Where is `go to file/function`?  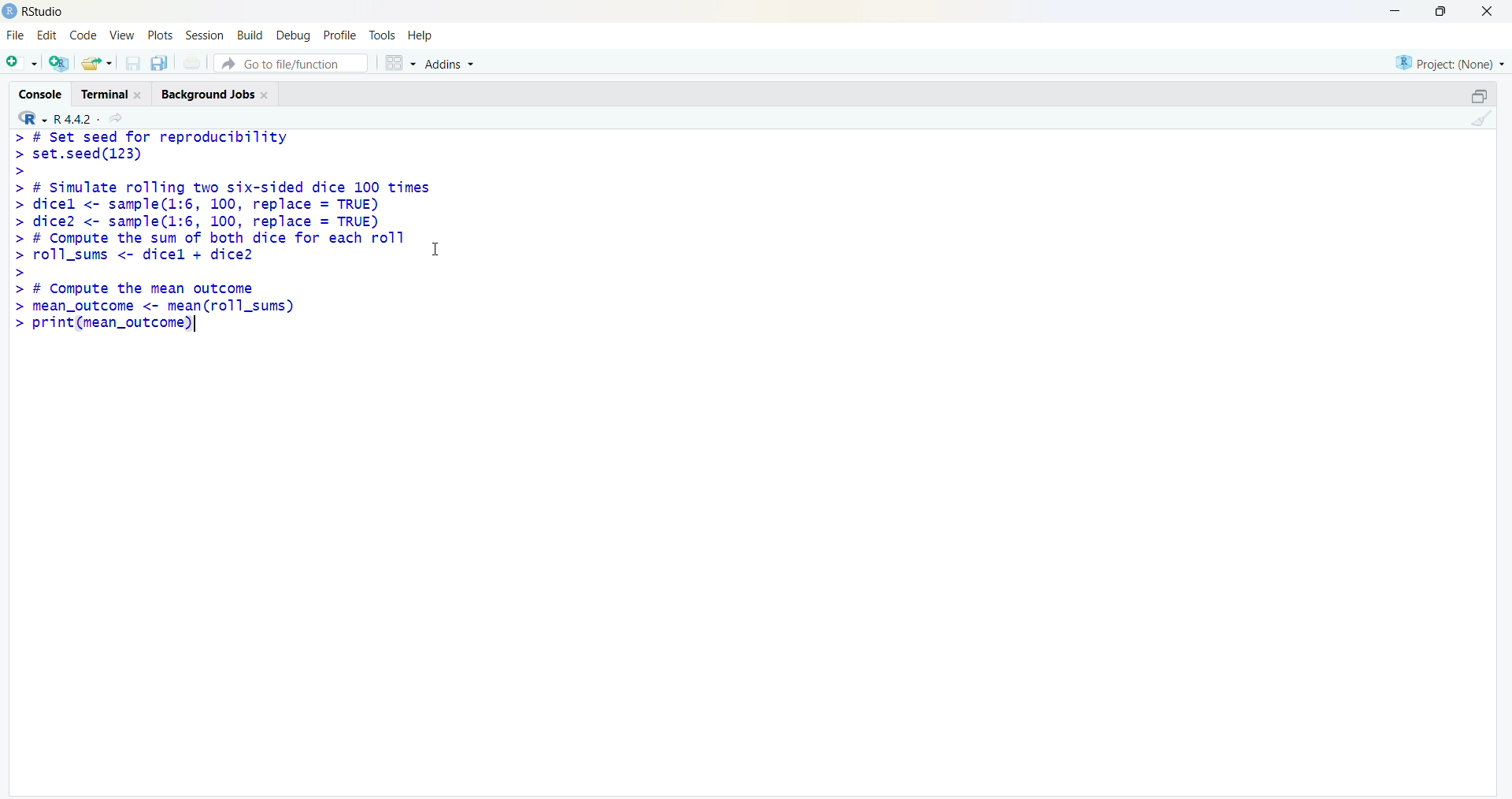
go to file/function is located at coordinates (291, 63).